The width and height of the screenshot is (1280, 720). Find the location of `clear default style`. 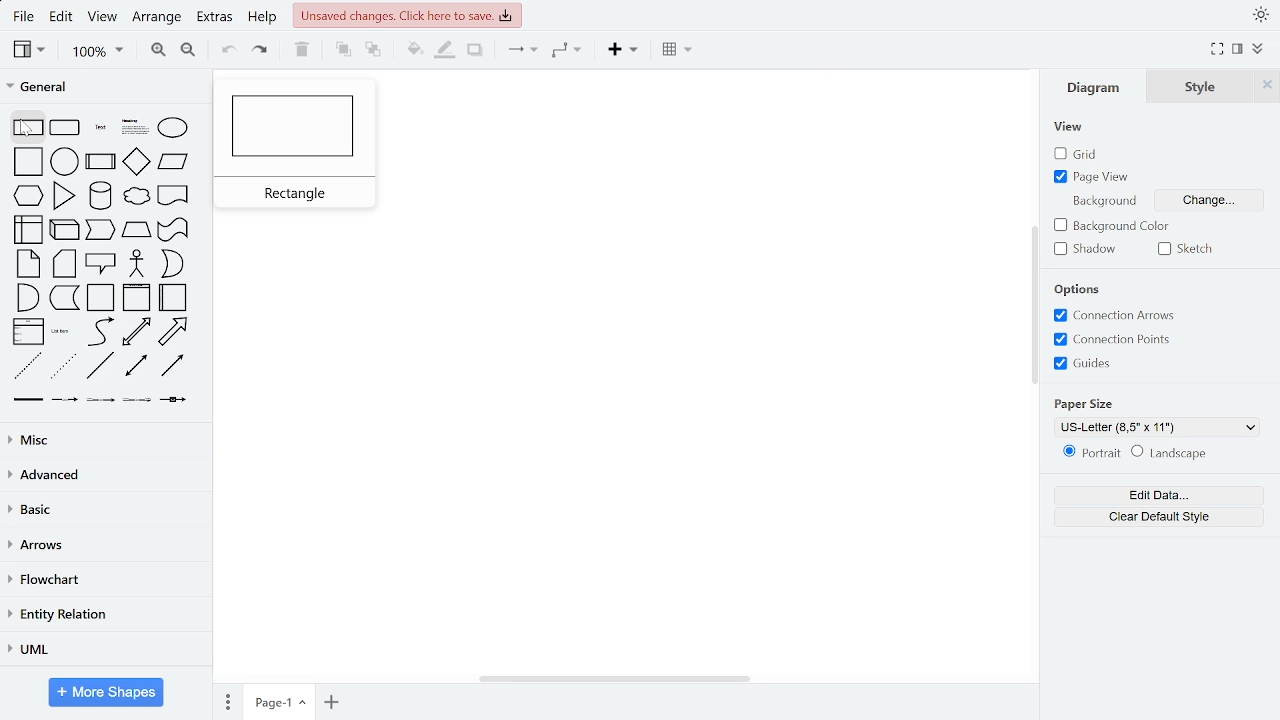

clear default style is located at coordinates (1159, 518).